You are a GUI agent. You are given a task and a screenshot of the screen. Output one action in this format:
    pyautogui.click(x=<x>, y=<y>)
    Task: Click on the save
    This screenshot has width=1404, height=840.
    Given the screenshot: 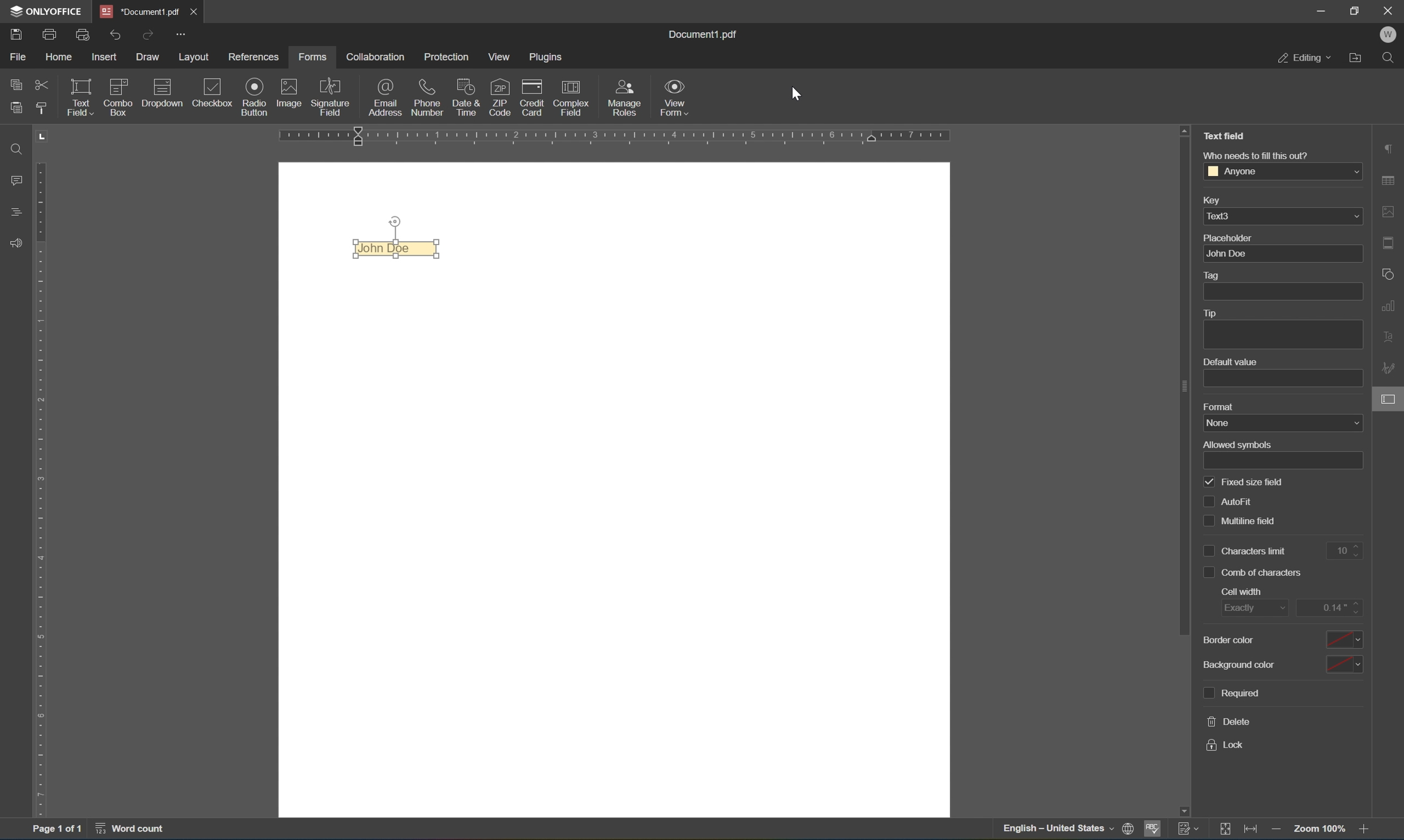 What is the action you would take?
    pyautogui.click(x=11, y=35)
    